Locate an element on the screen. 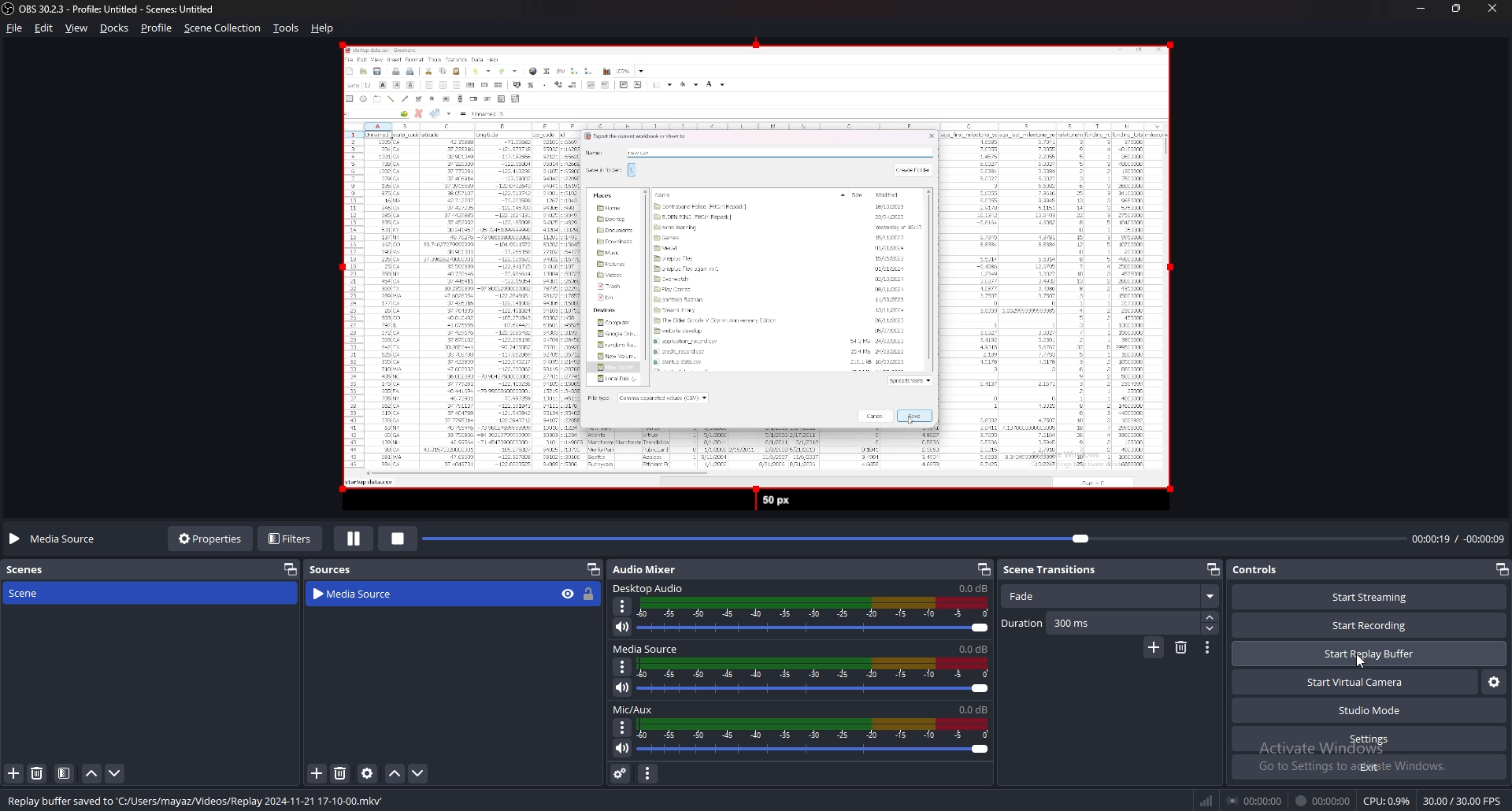  edit is located at coordinates (45, 28).